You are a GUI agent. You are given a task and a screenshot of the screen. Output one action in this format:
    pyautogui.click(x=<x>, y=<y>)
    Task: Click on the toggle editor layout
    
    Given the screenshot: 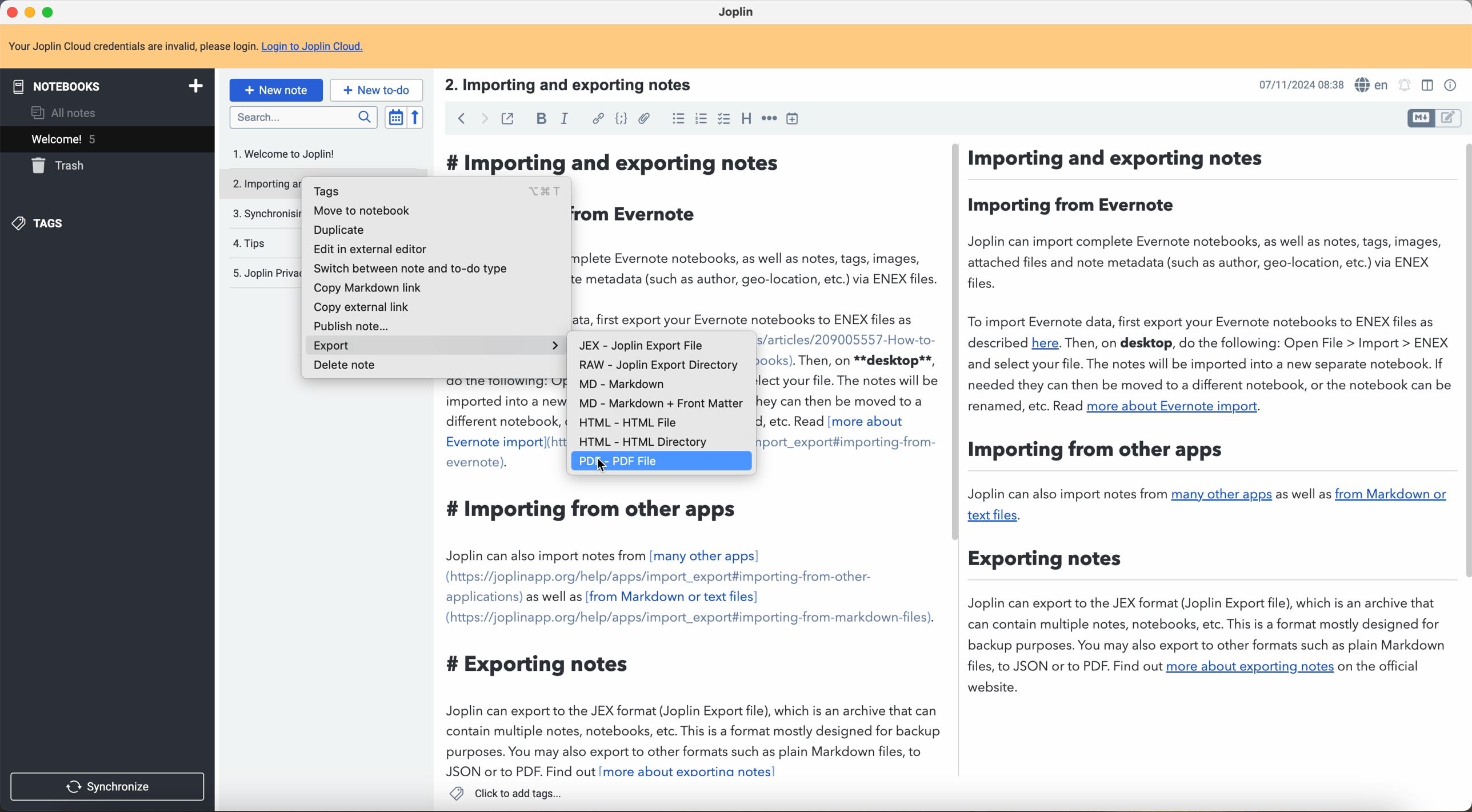 What is the action you would take?
    pyautogui.click(x=1449, y=118)
    